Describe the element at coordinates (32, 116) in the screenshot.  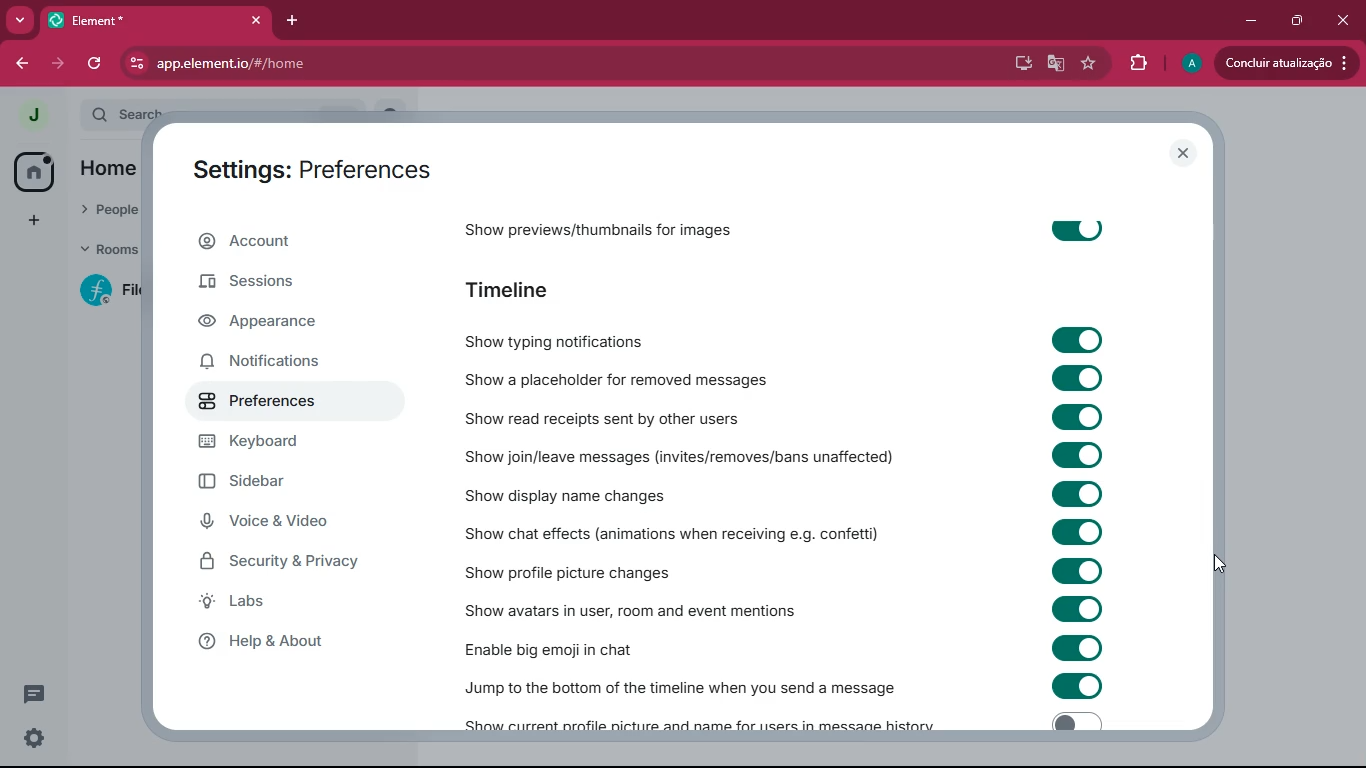
I see `j` at that location.